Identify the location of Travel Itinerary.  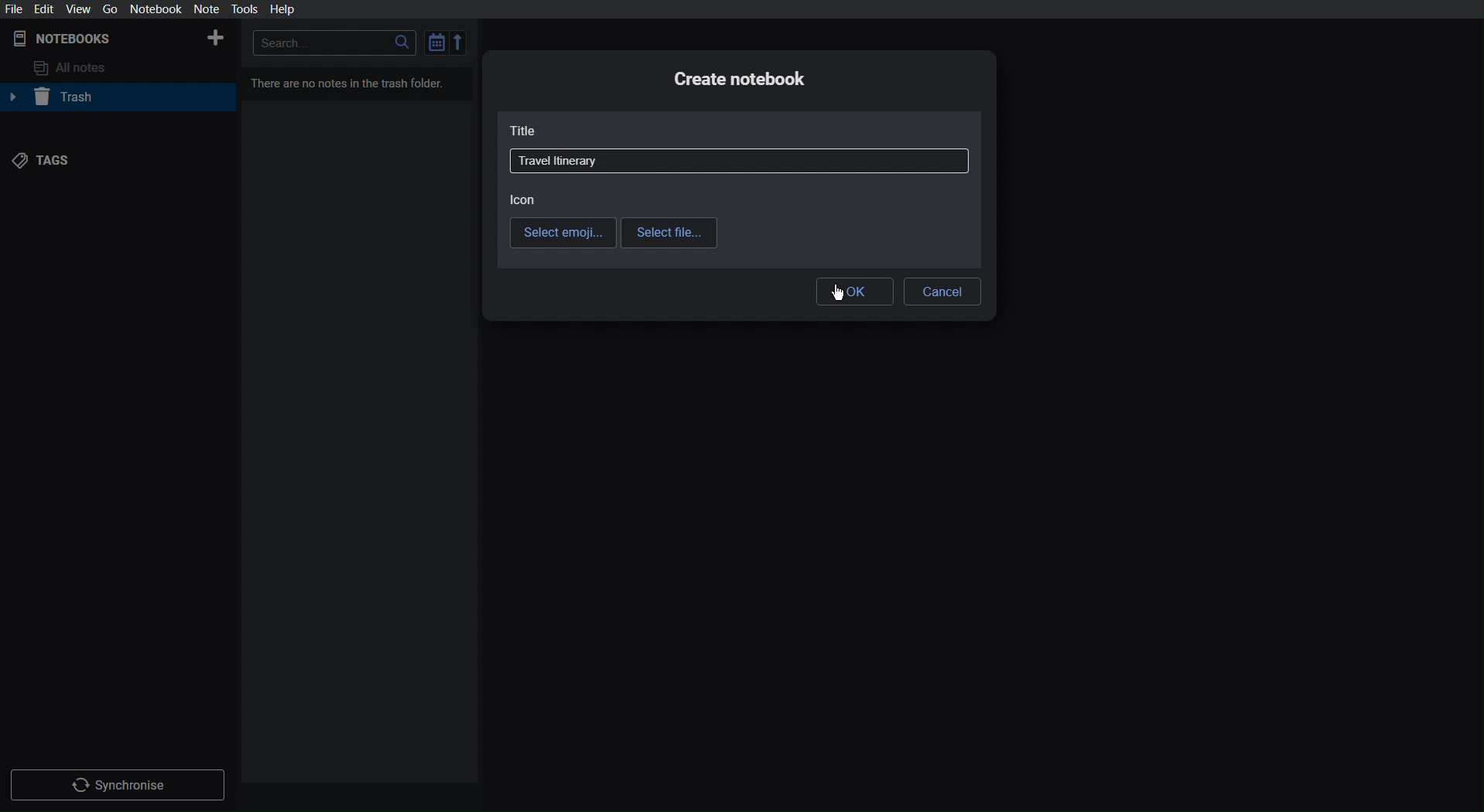
(560, 162).